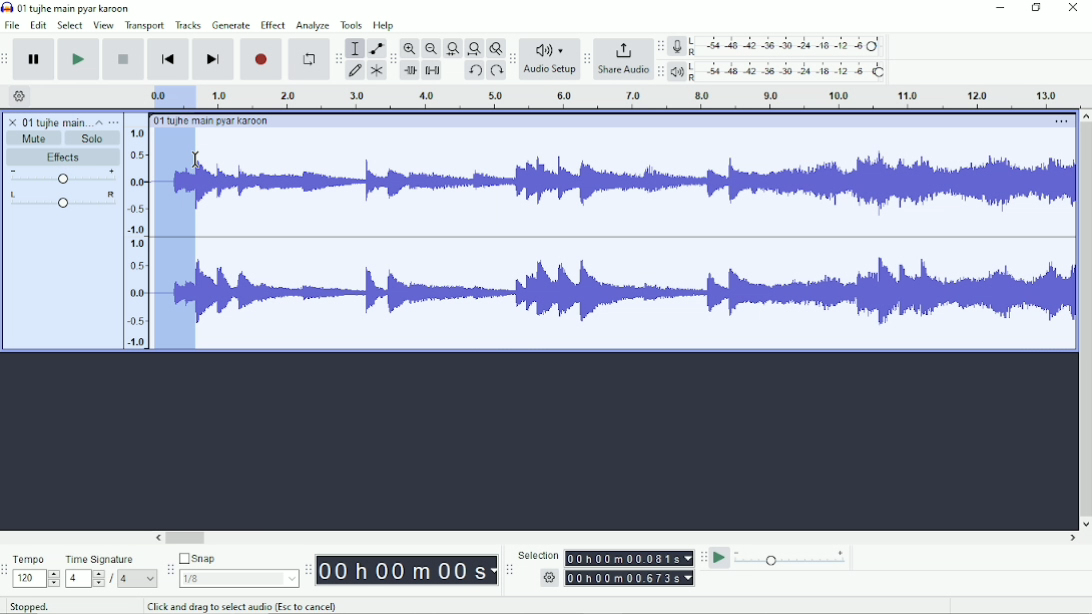  I want to click on Audacity time signature toolbar, so click(7, 571).